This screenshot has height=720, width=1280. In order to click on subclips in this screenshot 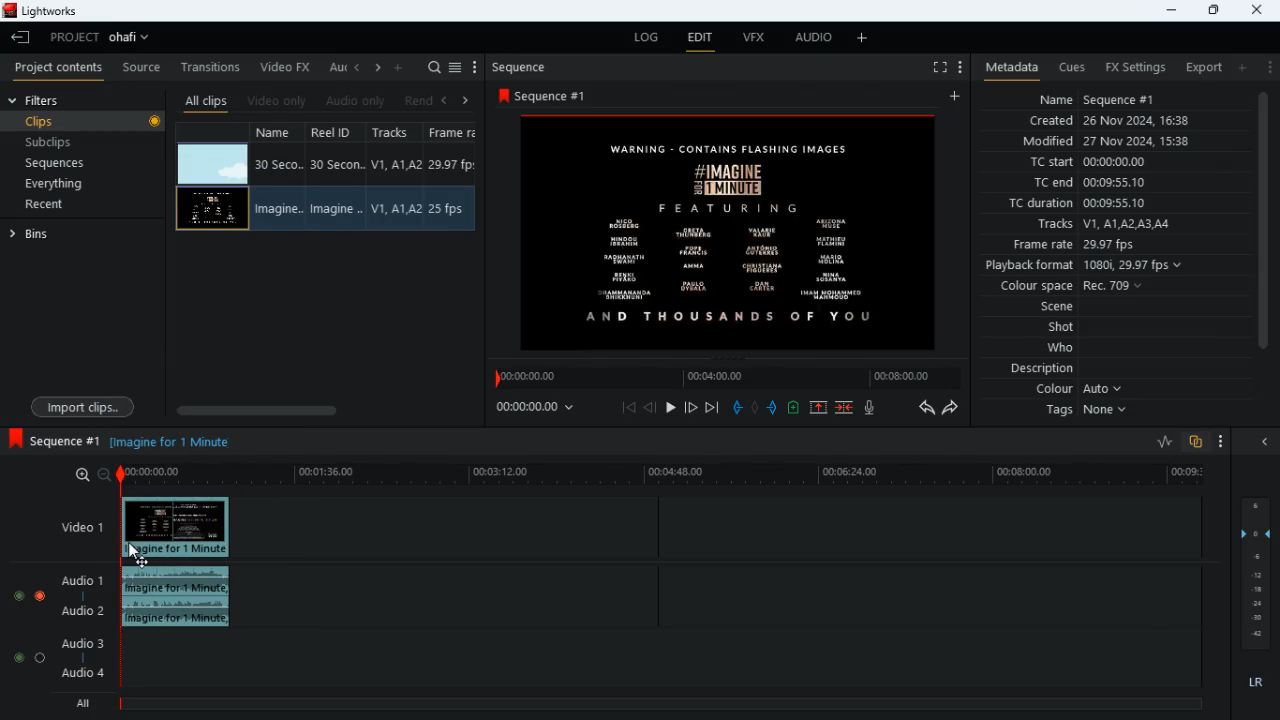, I will do `click(61, 143)`.